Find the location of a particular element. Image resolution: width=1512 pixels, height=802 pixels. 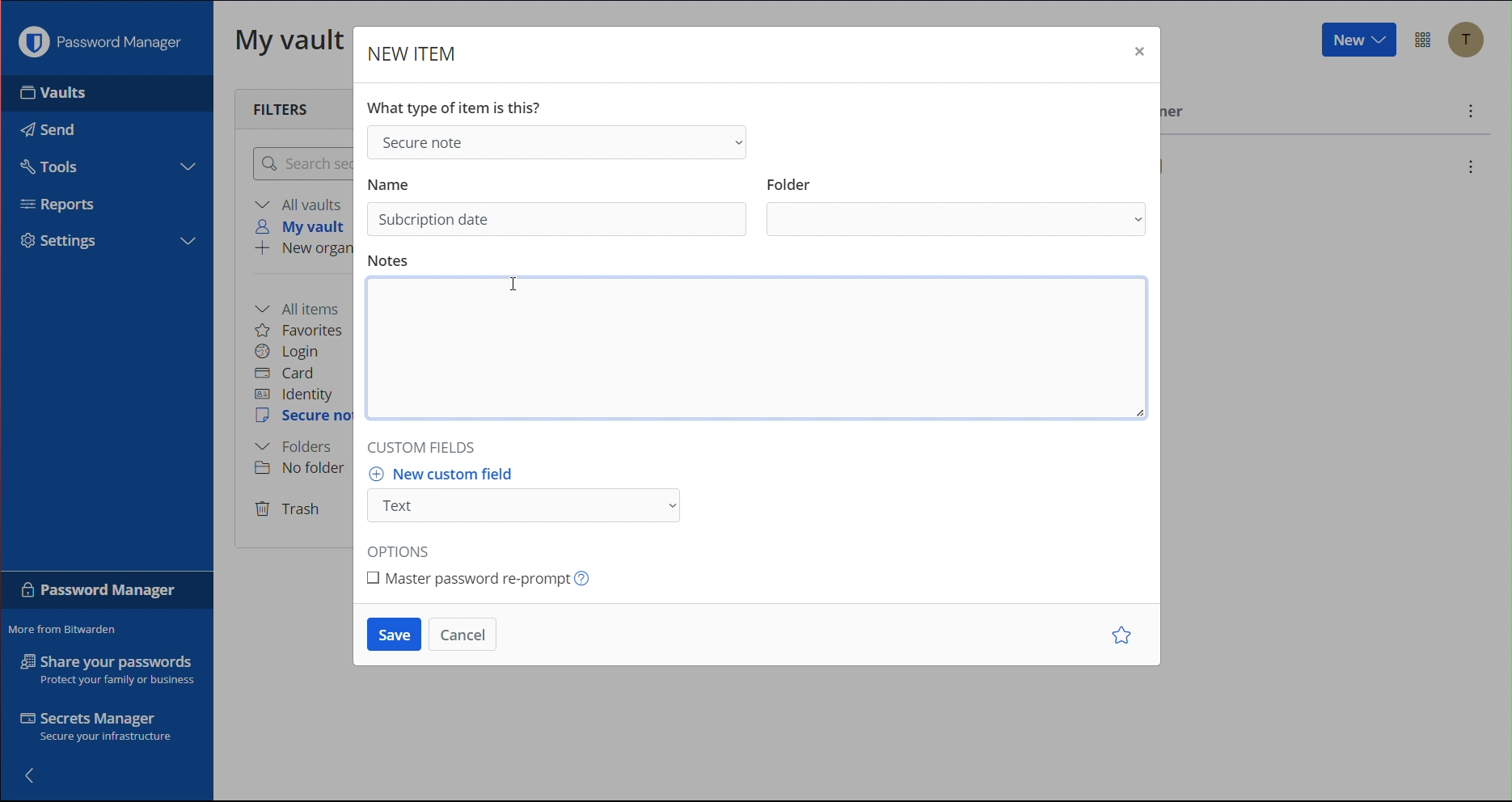

Identity is located at coordinates (294, 395).